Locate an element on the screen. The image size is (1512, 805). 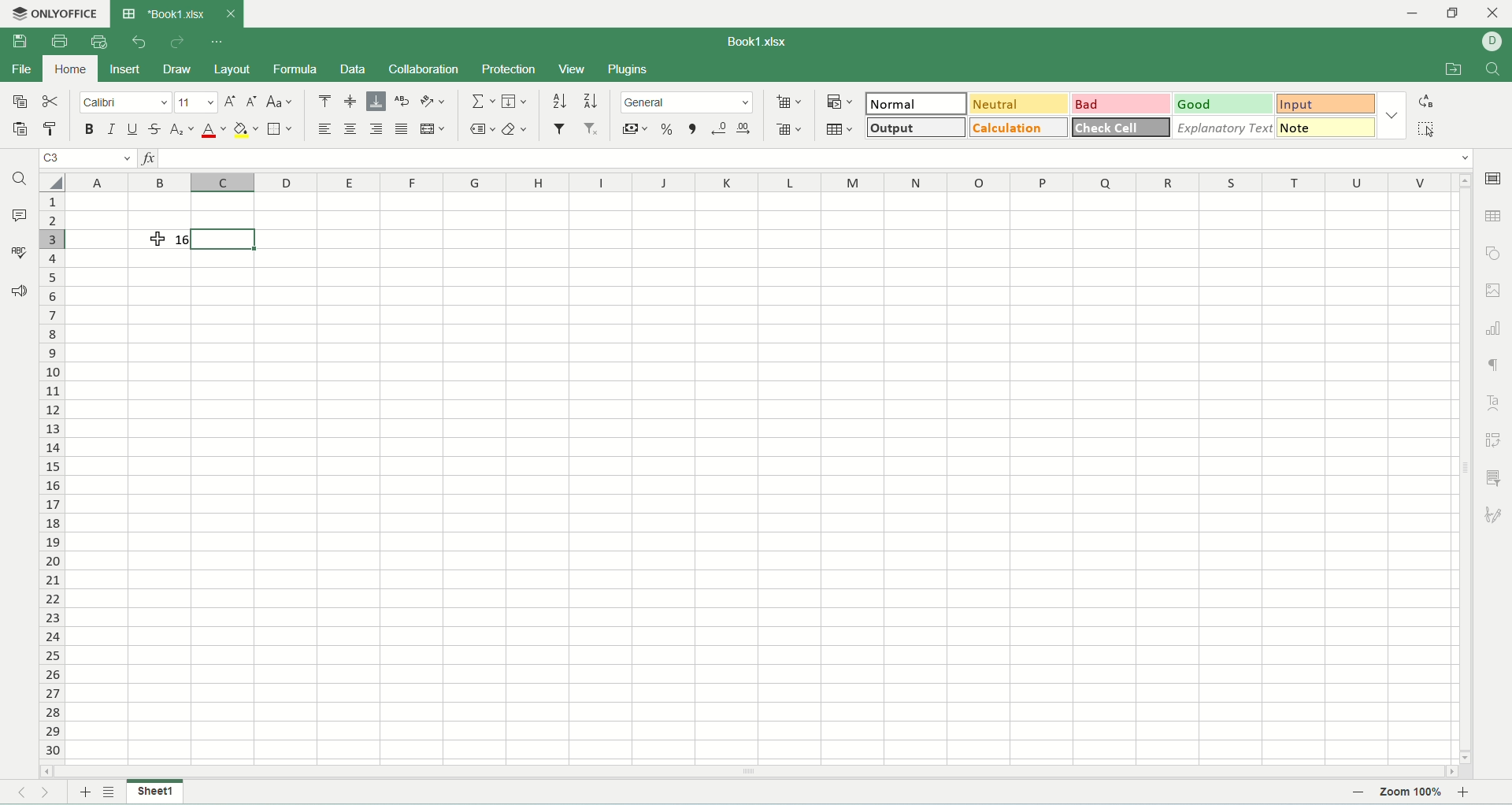
note is located at coordinates (1329, 129).